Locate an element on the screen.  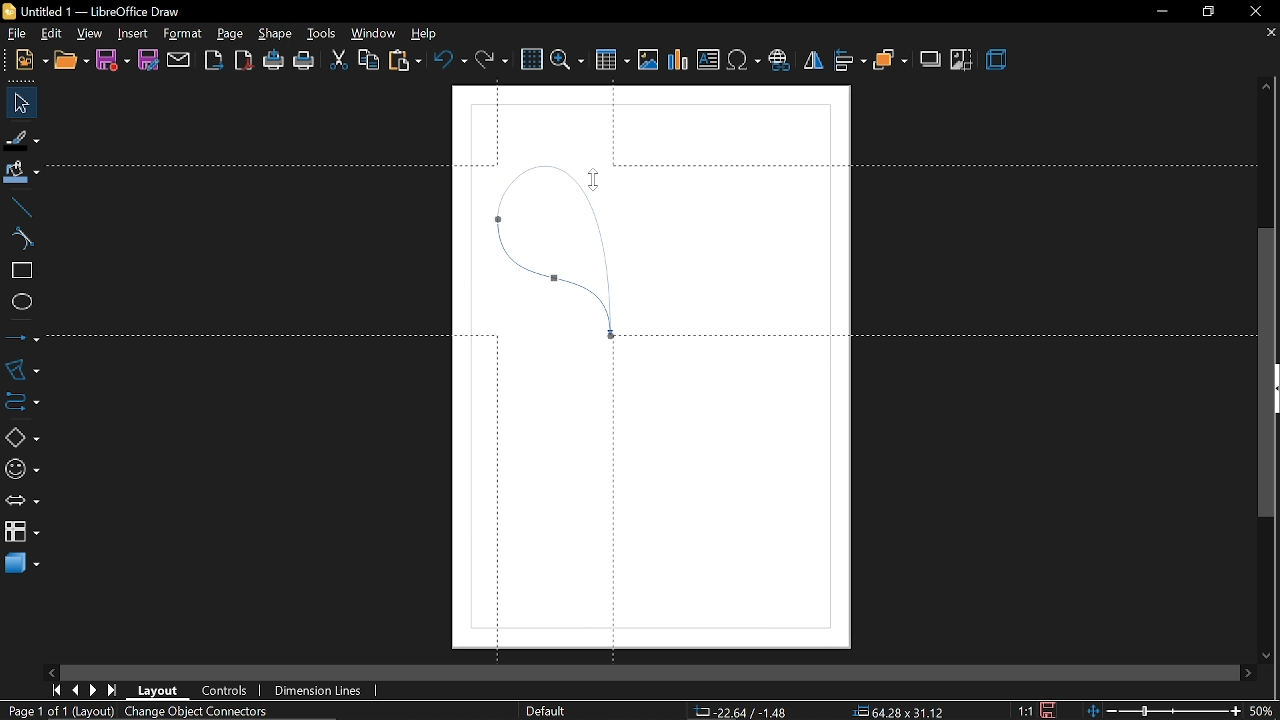
Page 1 of 1 is located at coordinates (38, 711).